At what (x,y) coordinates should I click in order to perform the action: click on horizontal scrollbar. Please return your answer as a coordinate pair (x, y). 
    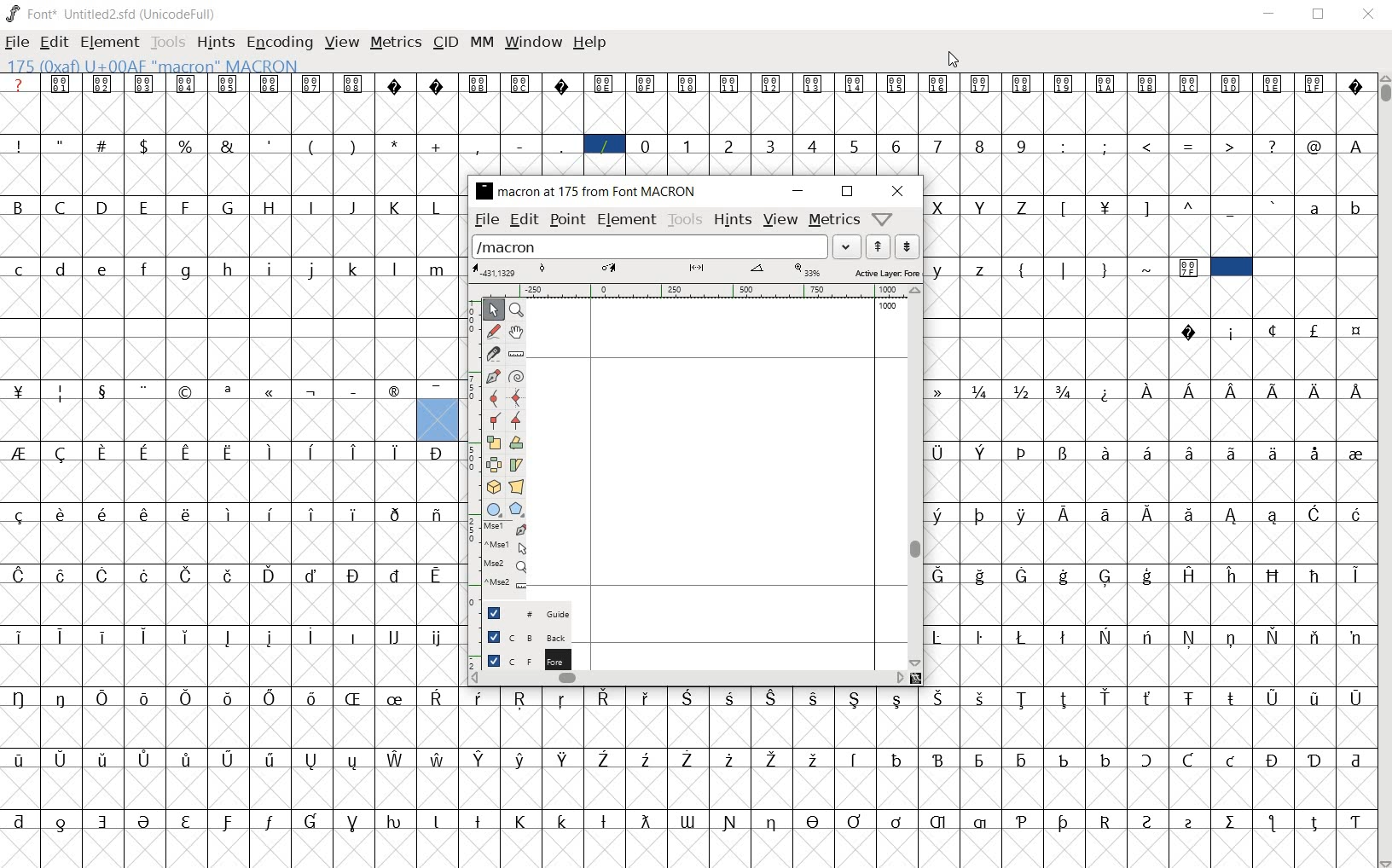
    Looking at the image, I should click on (689, 678).